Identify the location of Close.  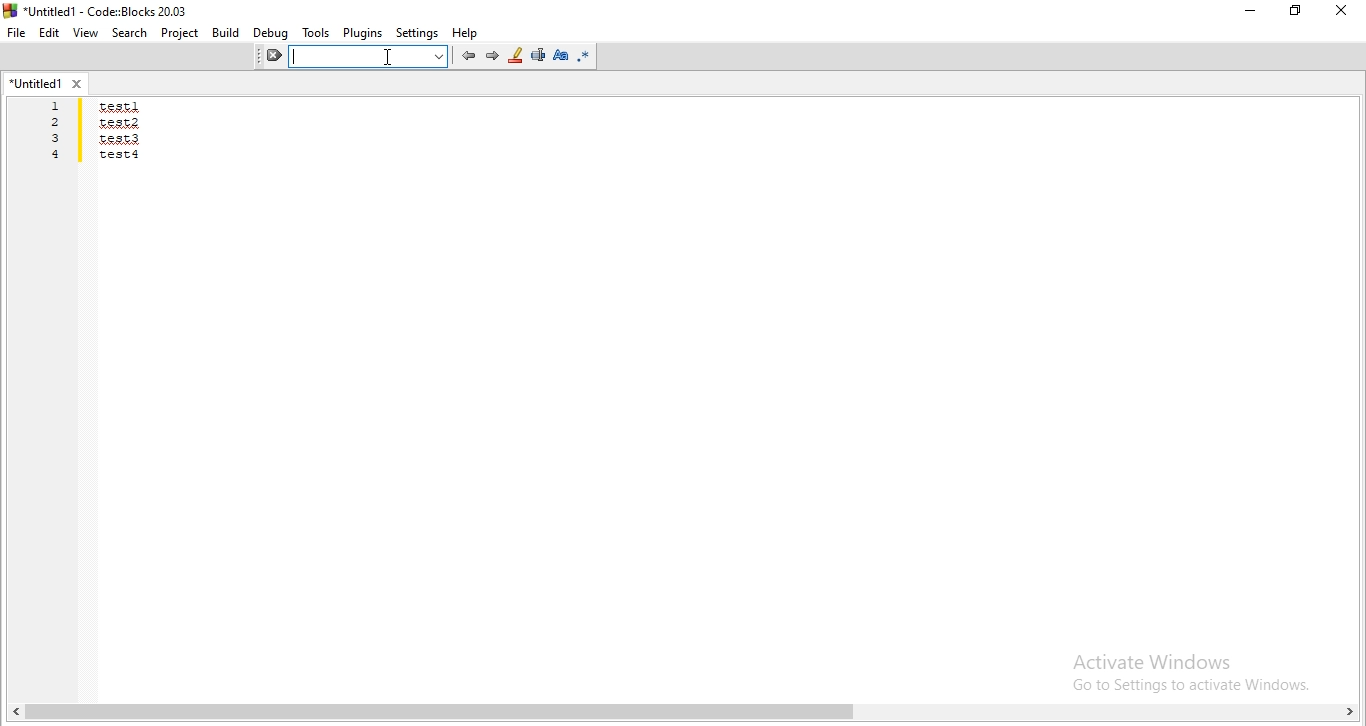
(1343, 12).